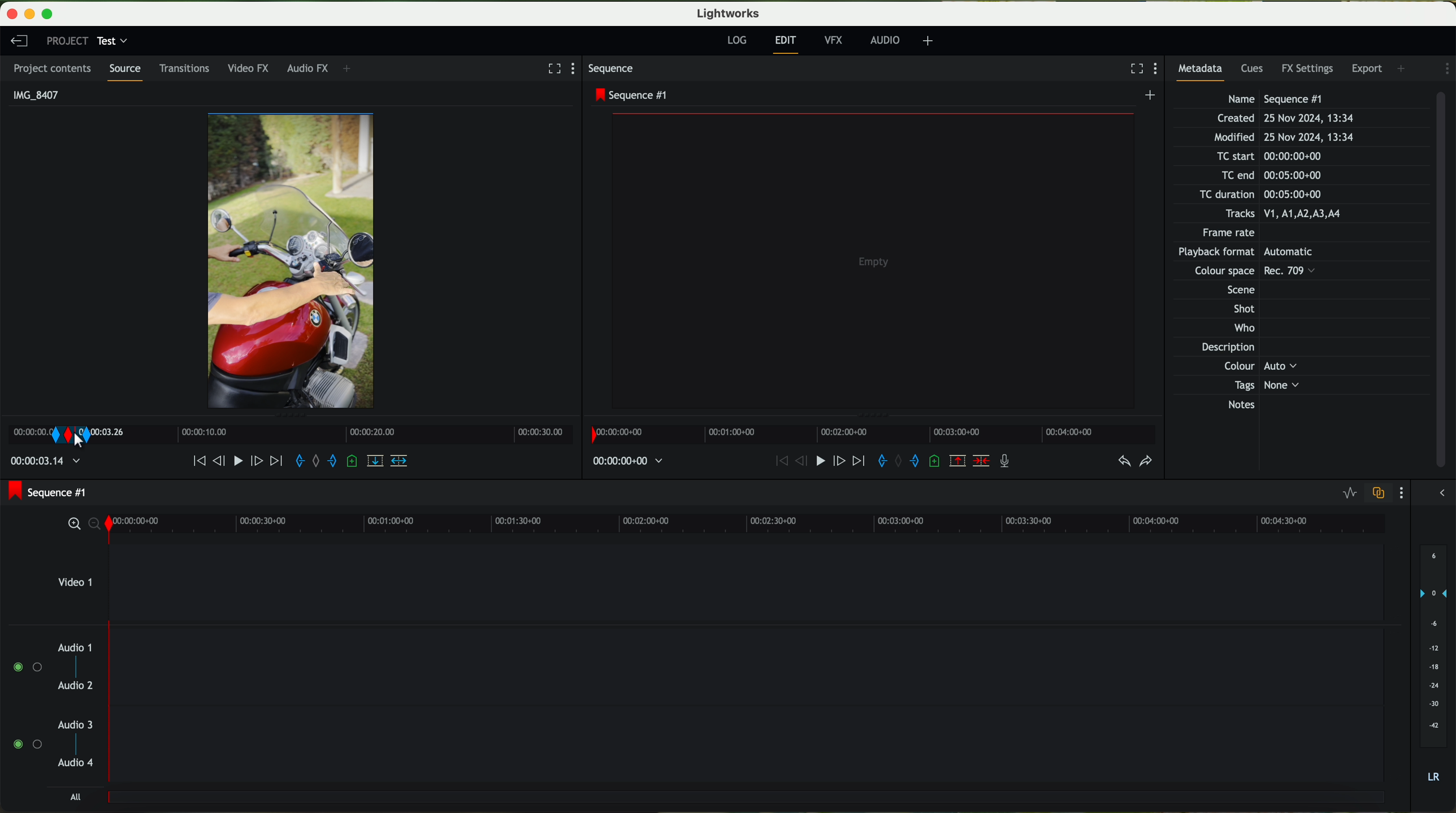 The image size is (1456, 813). Describe the element at coordinates (1267, 157) in the screenshot. I see `TC start` at that location.